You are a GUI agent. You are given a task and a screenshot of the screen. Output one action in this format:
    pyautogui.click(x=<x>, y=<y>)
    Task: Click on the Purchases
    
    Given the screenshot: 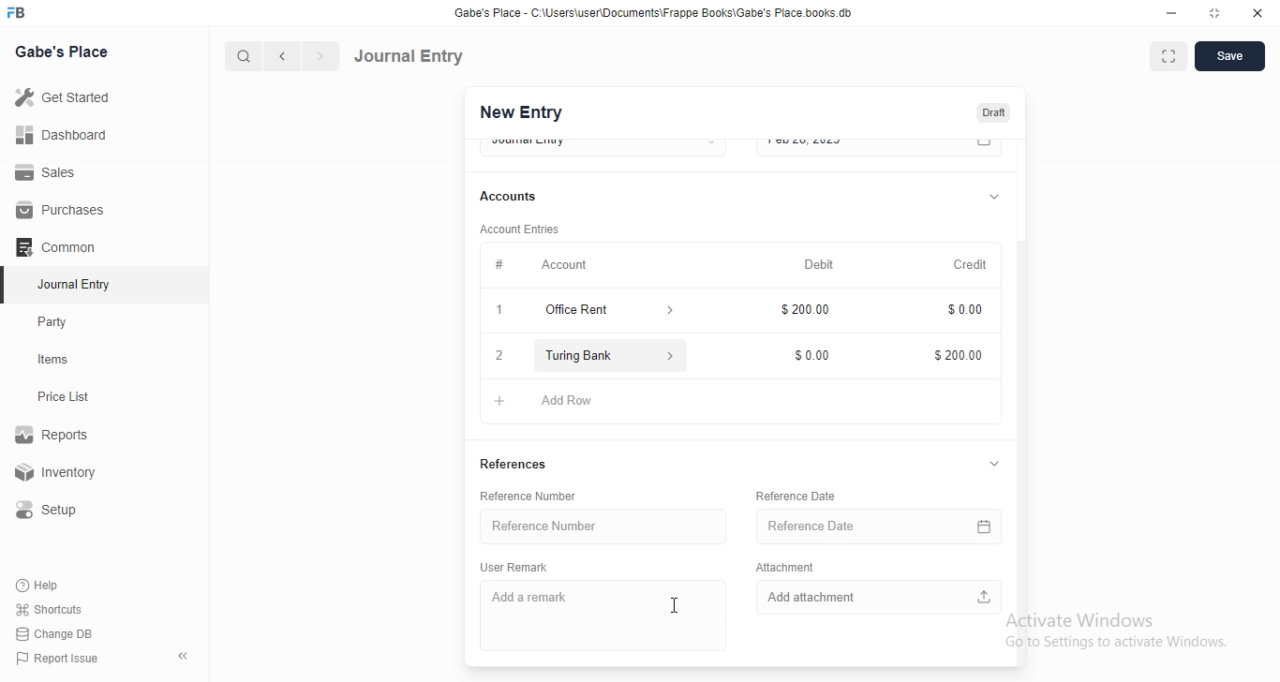 What is the action you would take?
    pyautogui.click(x=61, y=210)
    